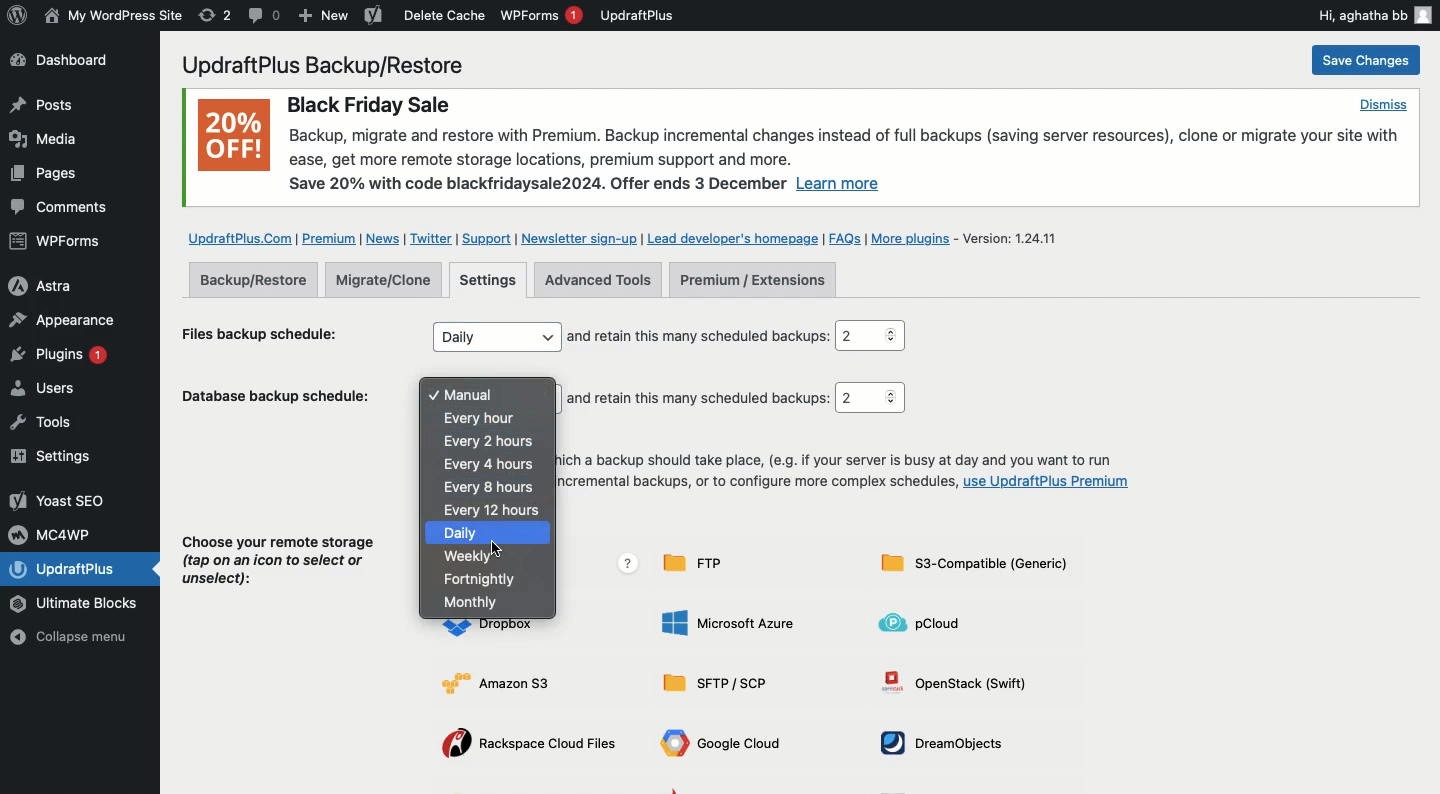  I want to click on Google cloud, so click(726, 746).